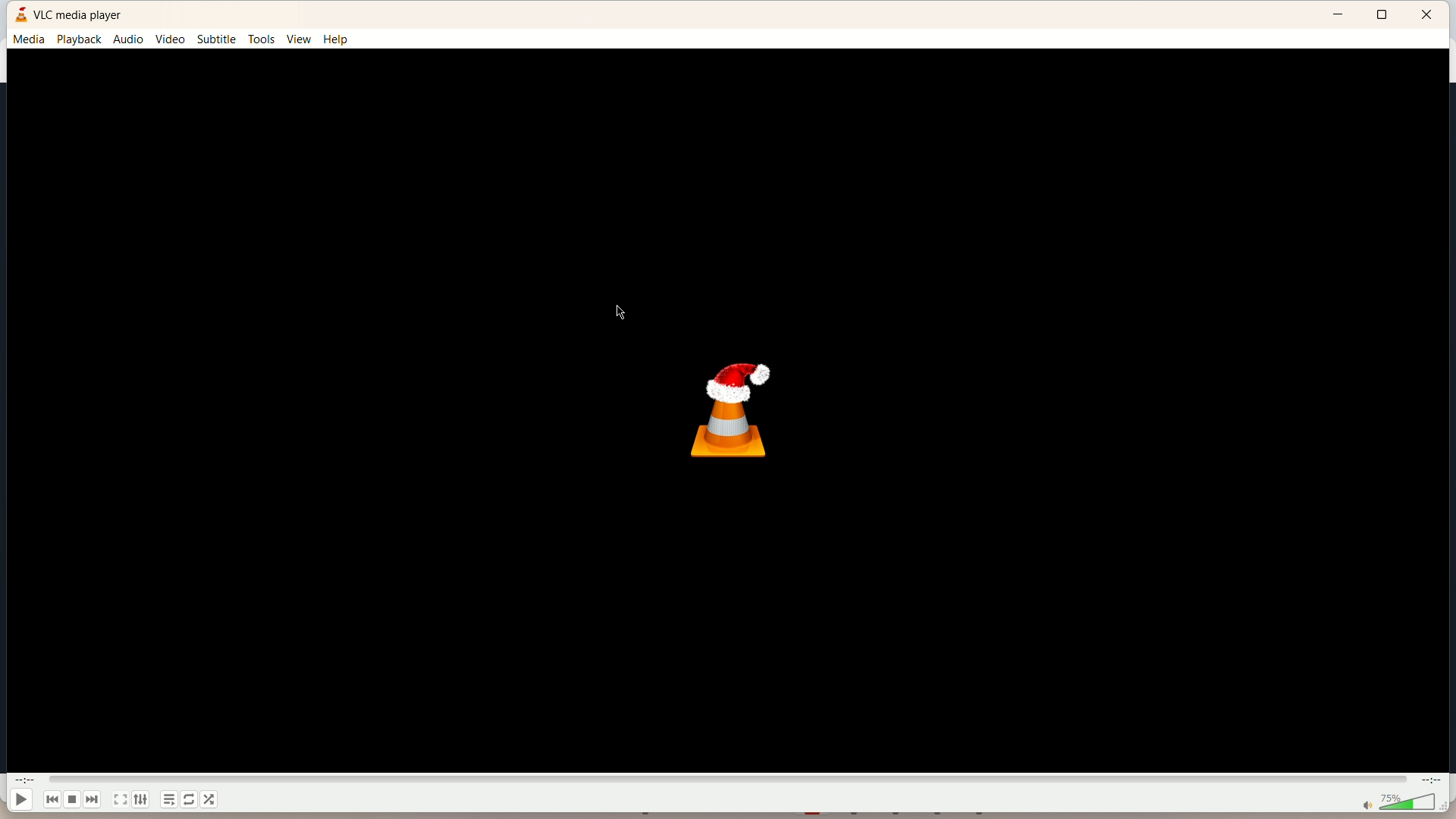 This screenshot has height=819, width=1456. What do you see at coordinates (46, 799) in the screenshot?
I see `previous` at bounding box center [46, 799].